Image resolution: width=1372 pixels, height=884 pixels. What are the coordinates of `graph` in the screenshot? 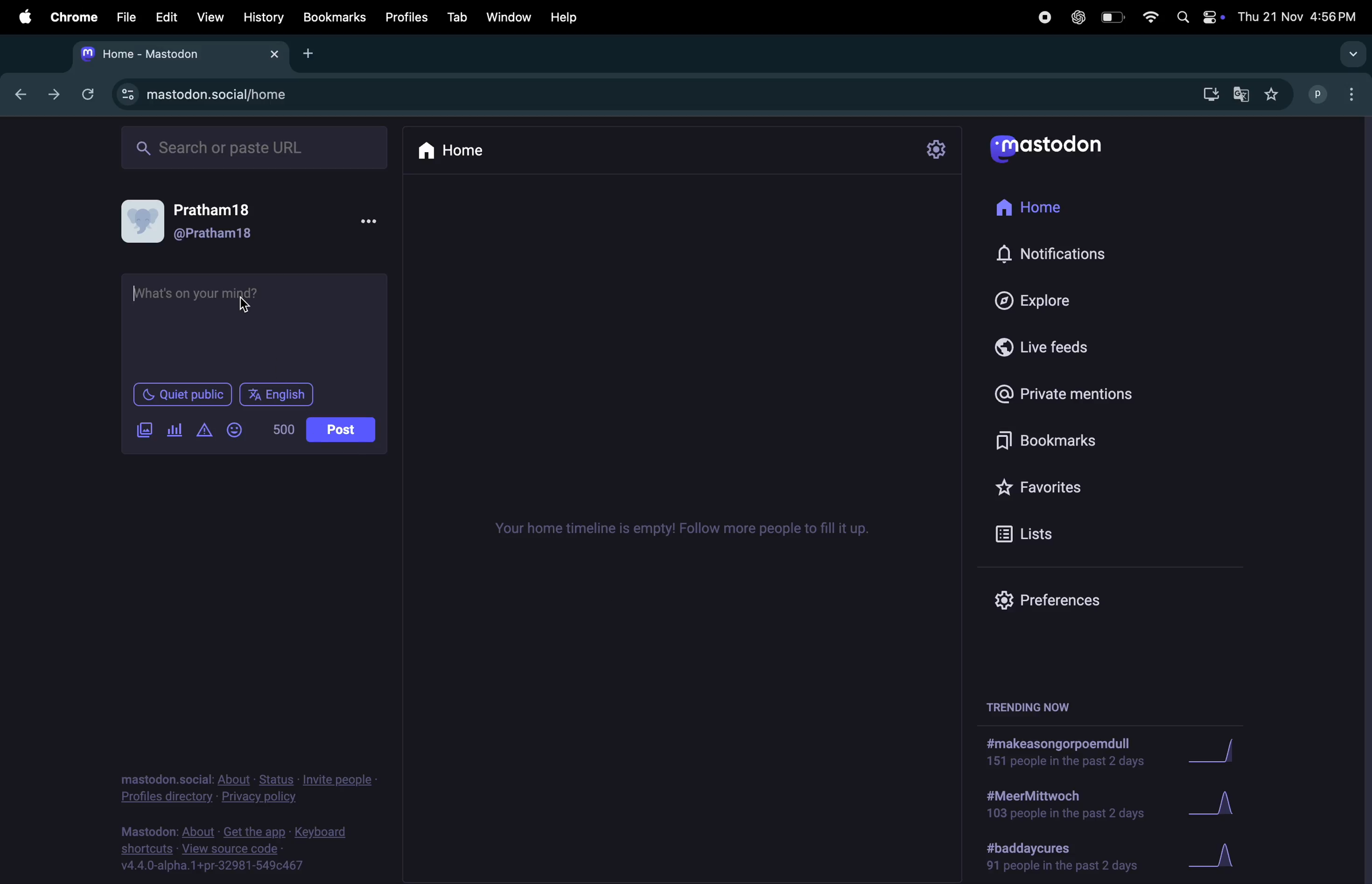 It's located at (1217, 856).